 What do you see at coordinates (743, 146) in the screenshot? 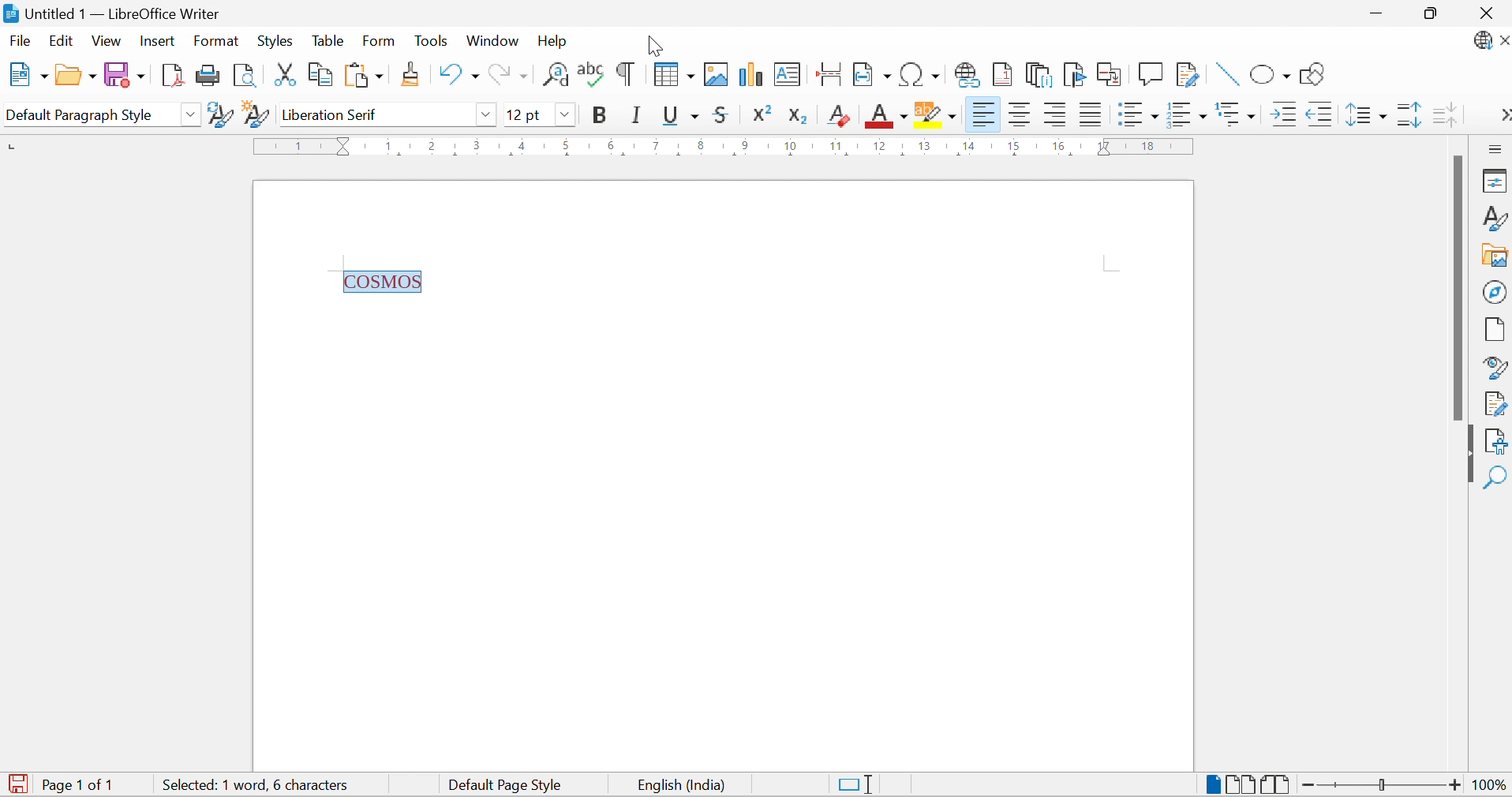
I see `9` at bounding box center [743, 146].